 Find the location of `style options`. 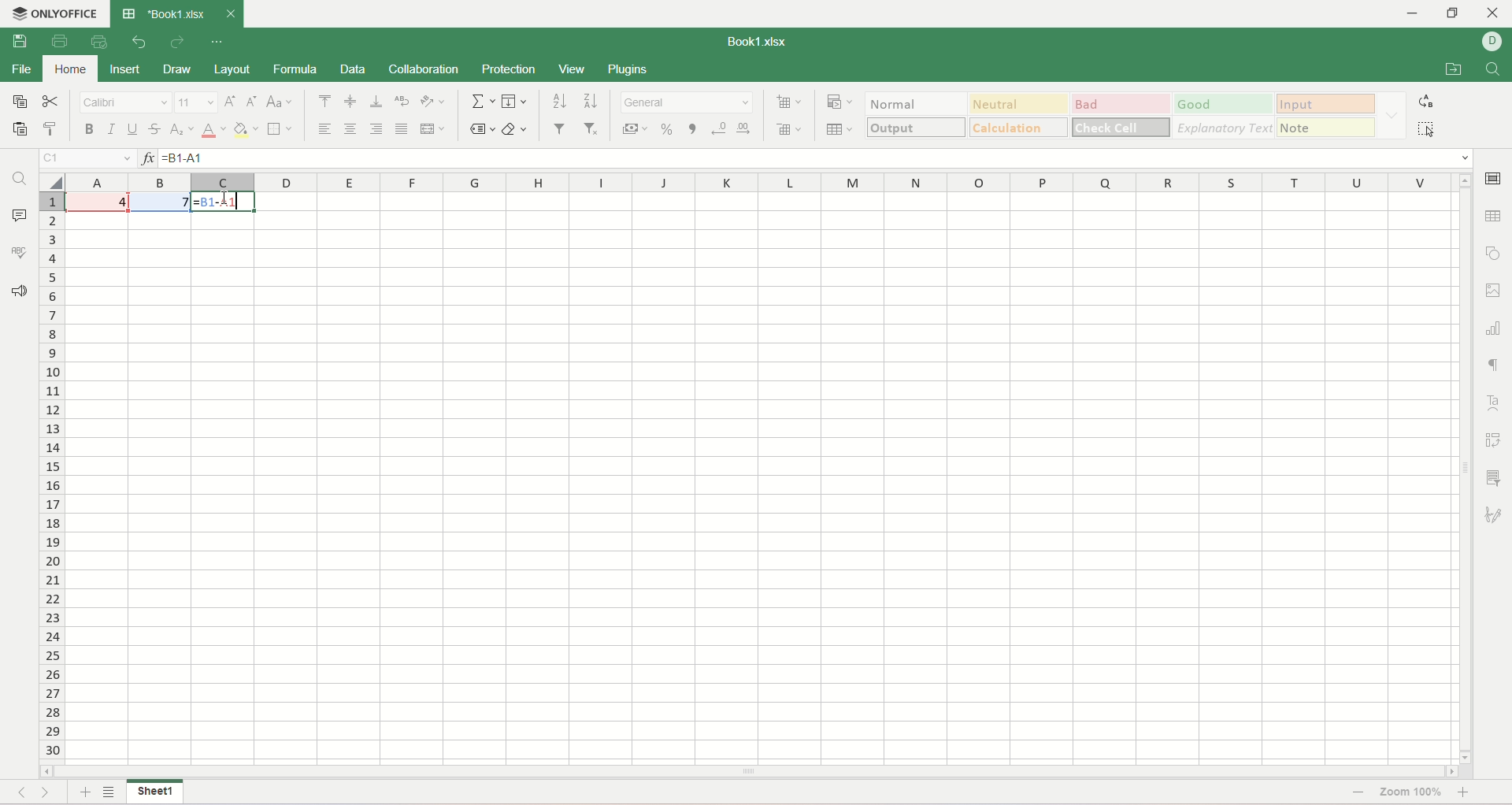

style options is located at coordinates (1392, 114).